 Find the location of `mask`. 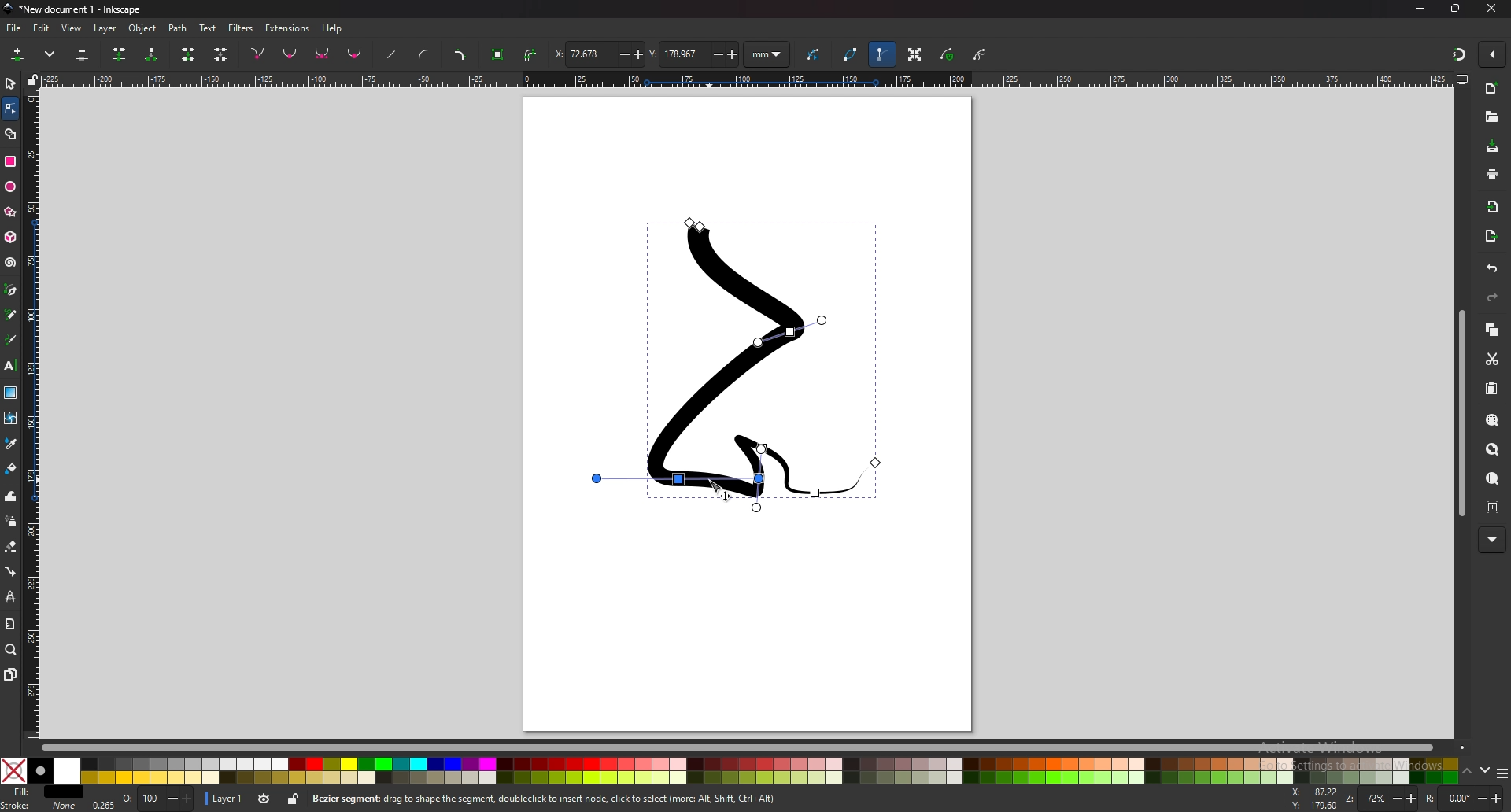

mask is located at coordinates (948, 55).